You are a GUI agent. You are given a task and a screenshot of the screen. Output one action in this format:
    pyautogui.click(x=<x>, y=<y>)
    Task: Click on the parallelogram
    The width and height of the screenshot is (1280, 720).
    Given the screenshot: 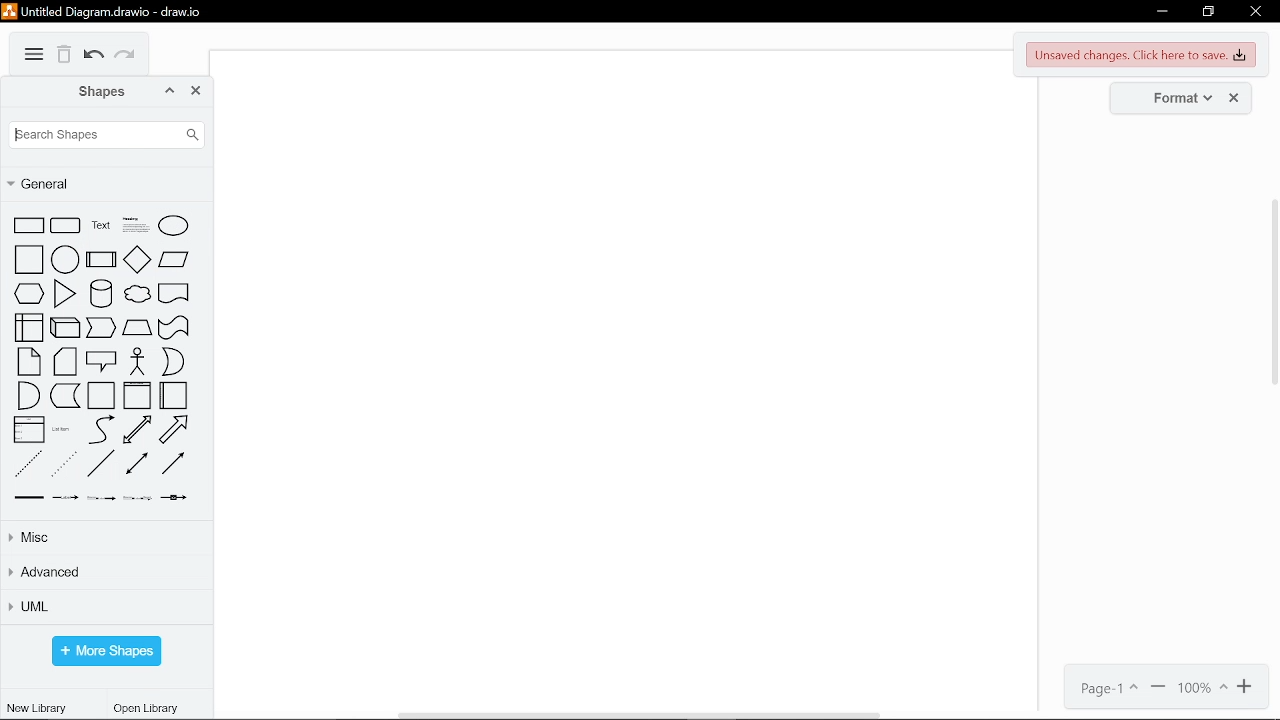 What is the action you would take?
    pyautogui.click(x=175, y=259)
    